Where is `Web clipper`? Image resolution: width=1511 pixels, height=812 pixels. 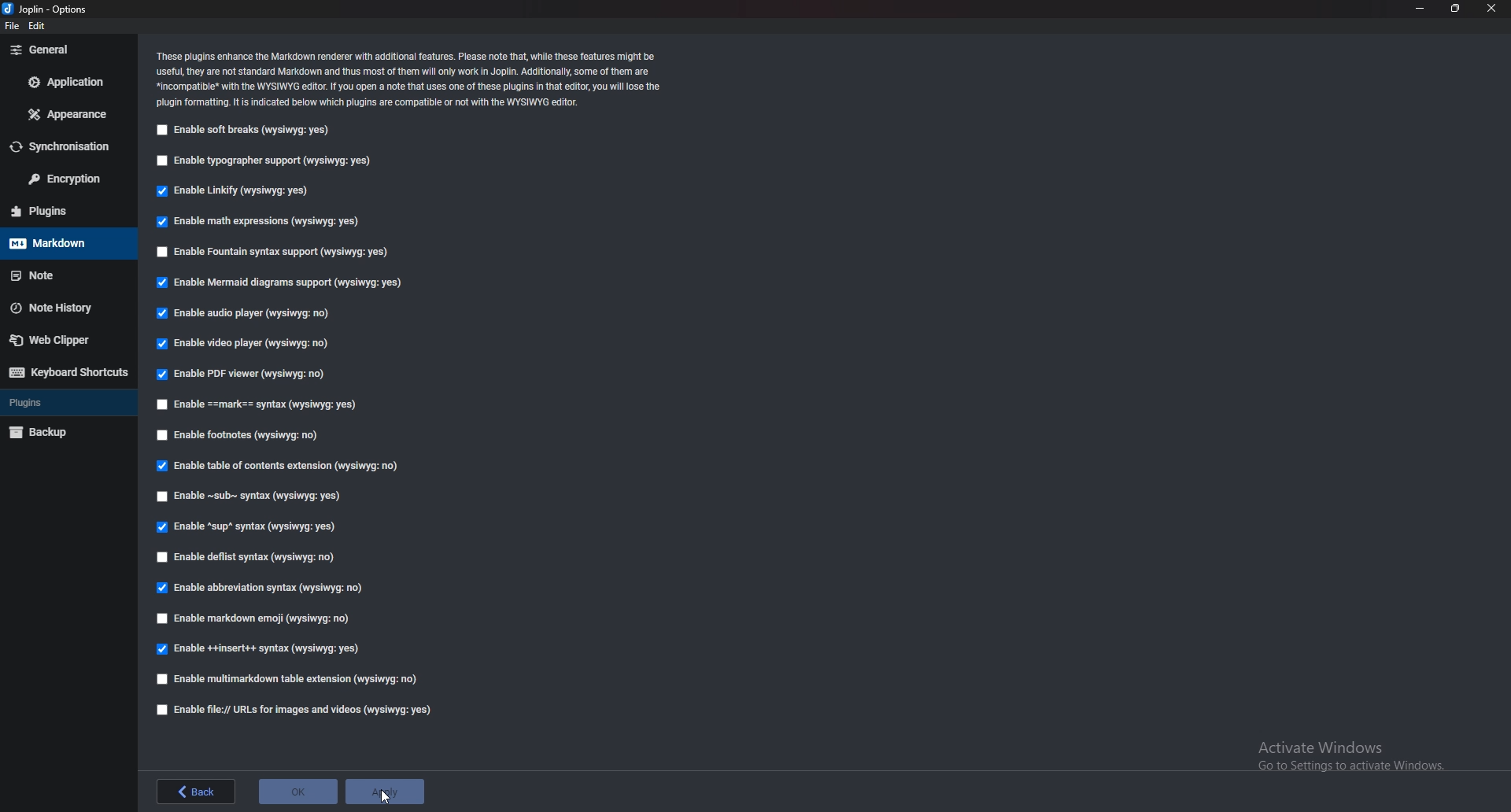
Web clipper is located at coordinates (62, 340).